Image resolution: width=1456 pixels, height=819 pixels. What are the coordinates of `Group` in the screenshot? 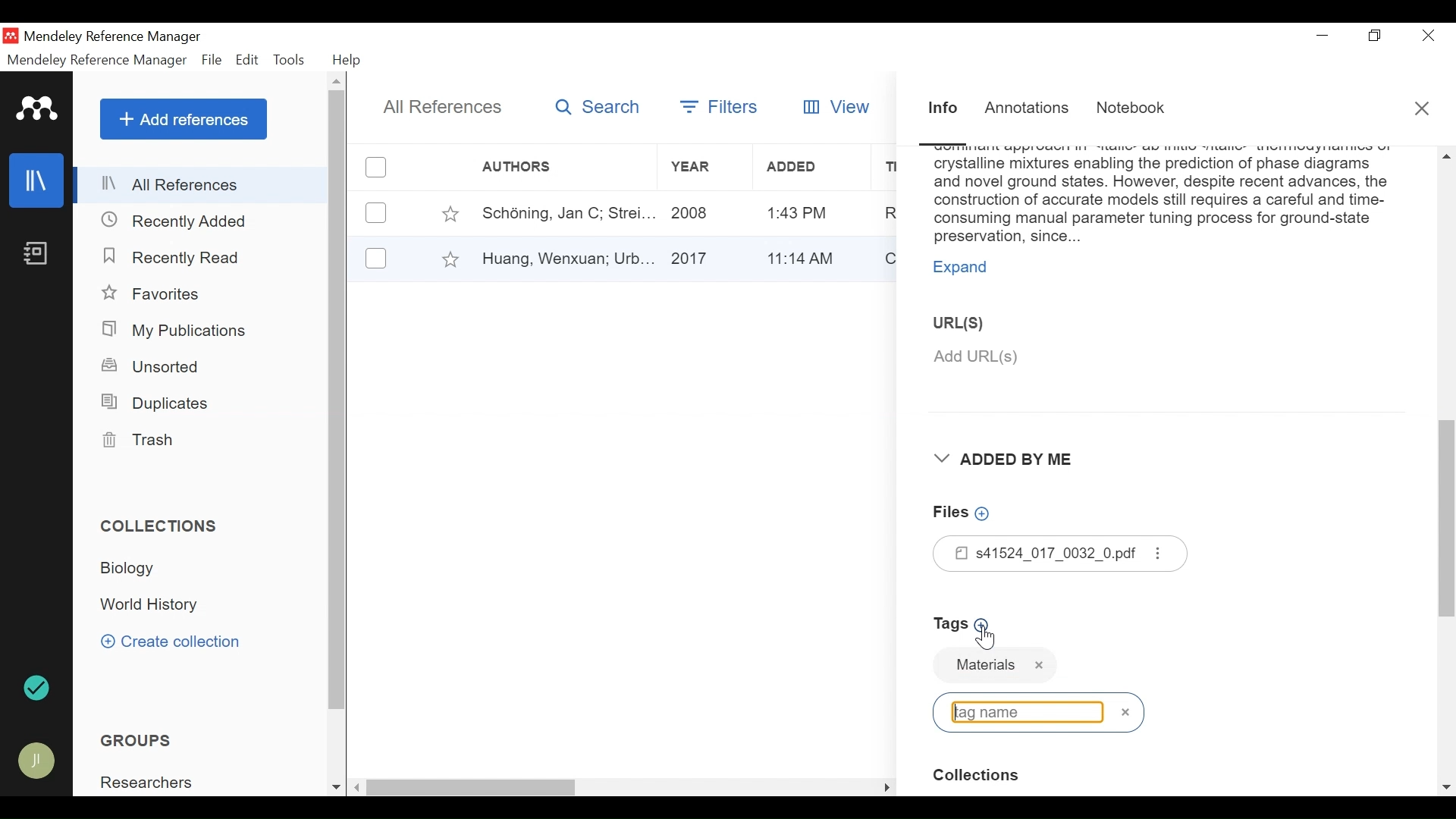 It's located at (152, 783).